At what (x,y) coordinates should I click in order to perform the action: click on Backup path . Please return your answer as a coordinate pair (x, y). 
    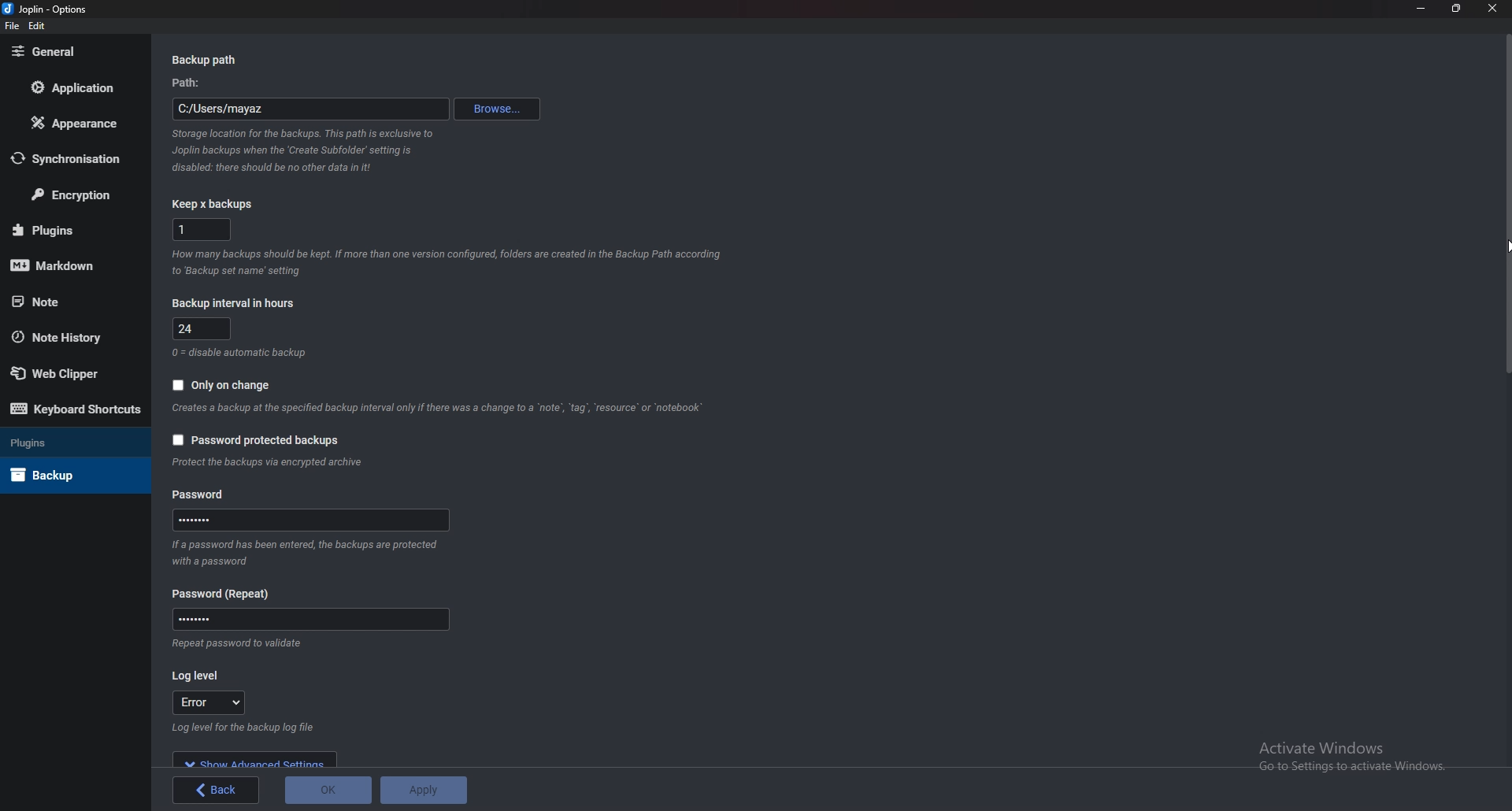
    Looking at the image, I should click on (218, 61).